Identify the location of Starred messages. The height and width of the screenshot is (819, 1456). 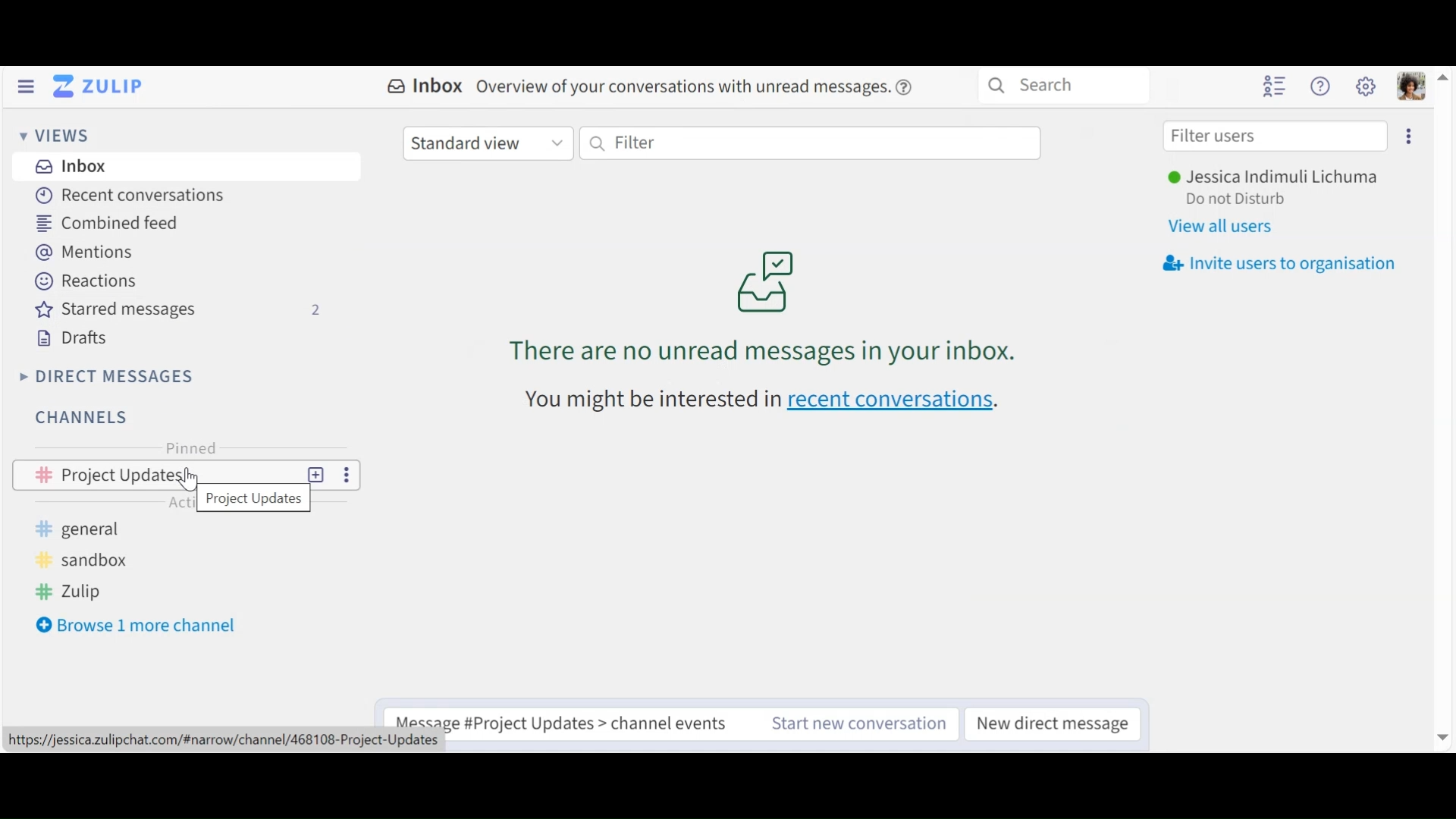
(184, 311).